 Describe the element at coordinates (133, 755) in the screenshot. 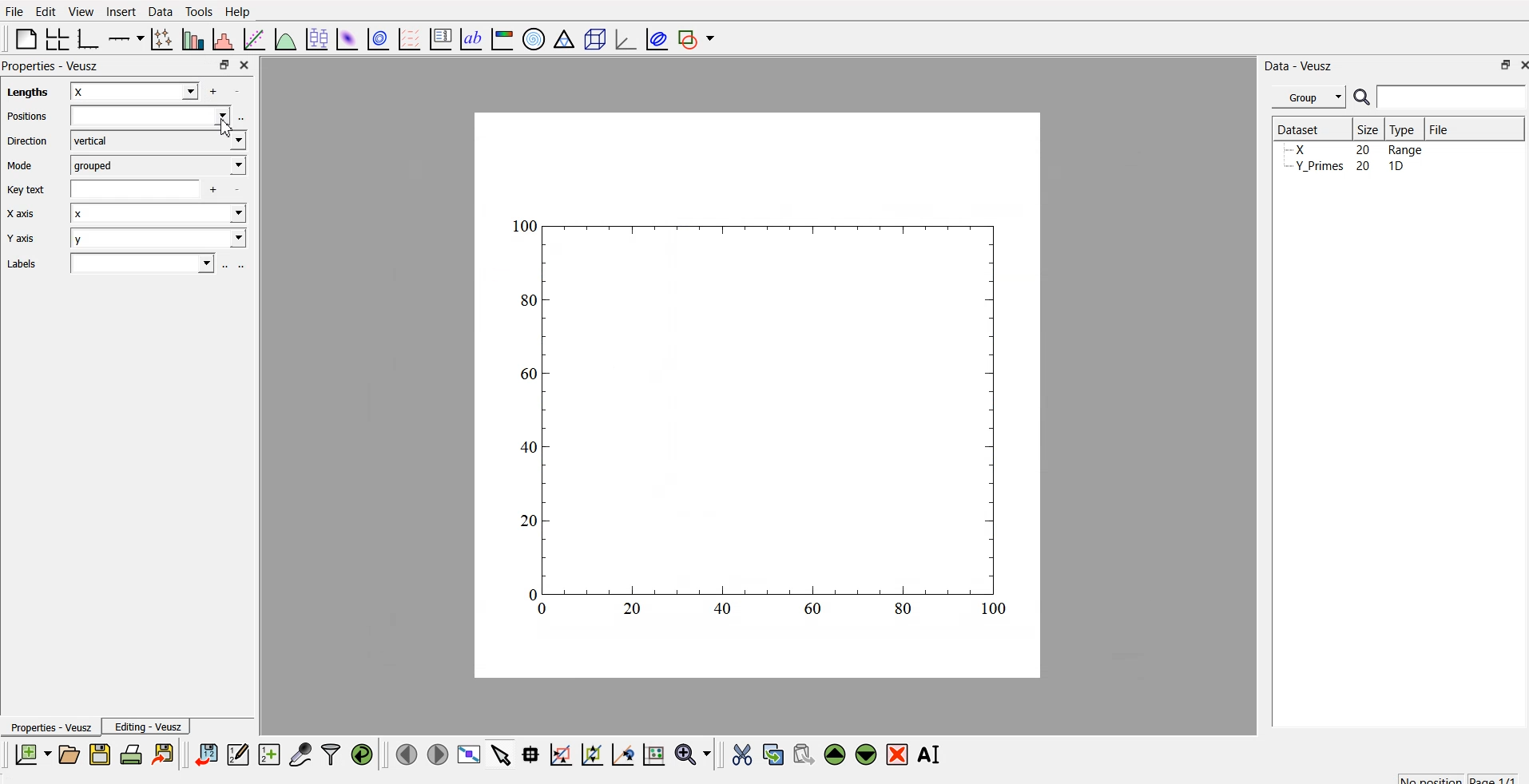

I see `print document` at that location.